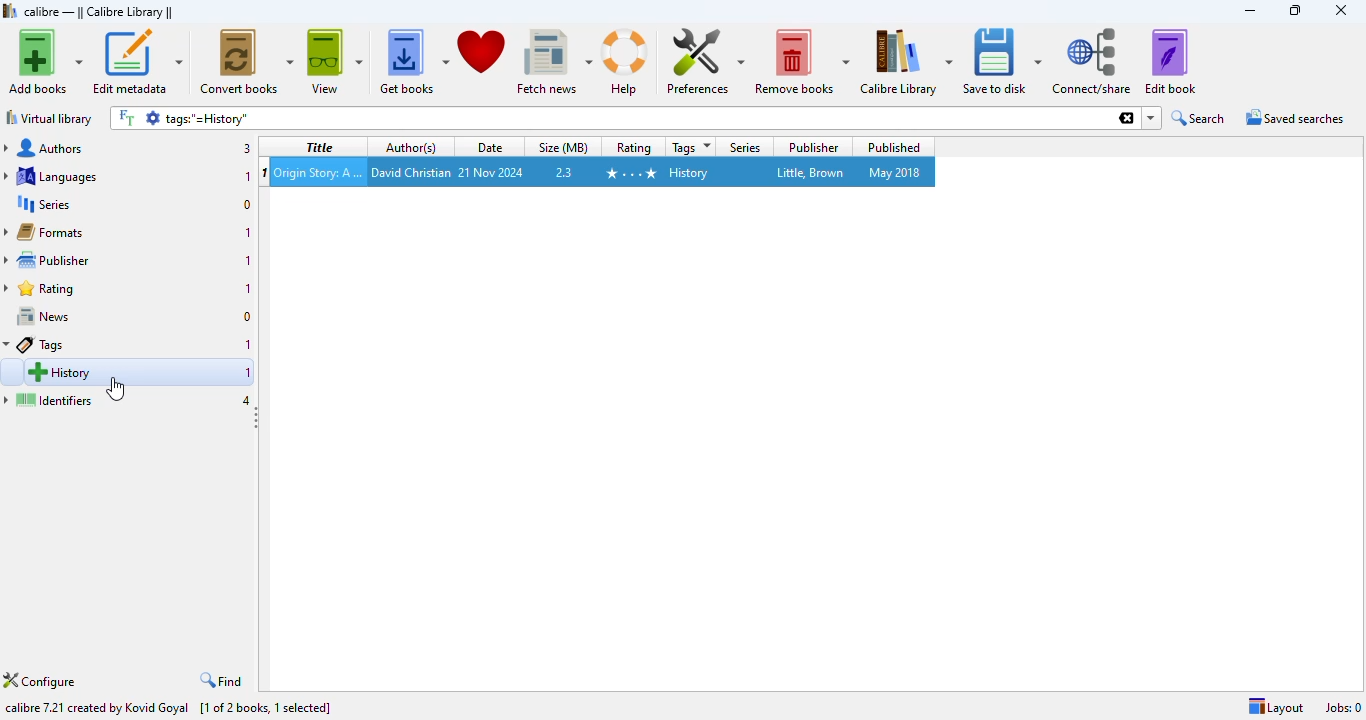 This screenshot has height=720, width=1366. I want to click on find, so click(222, 680).